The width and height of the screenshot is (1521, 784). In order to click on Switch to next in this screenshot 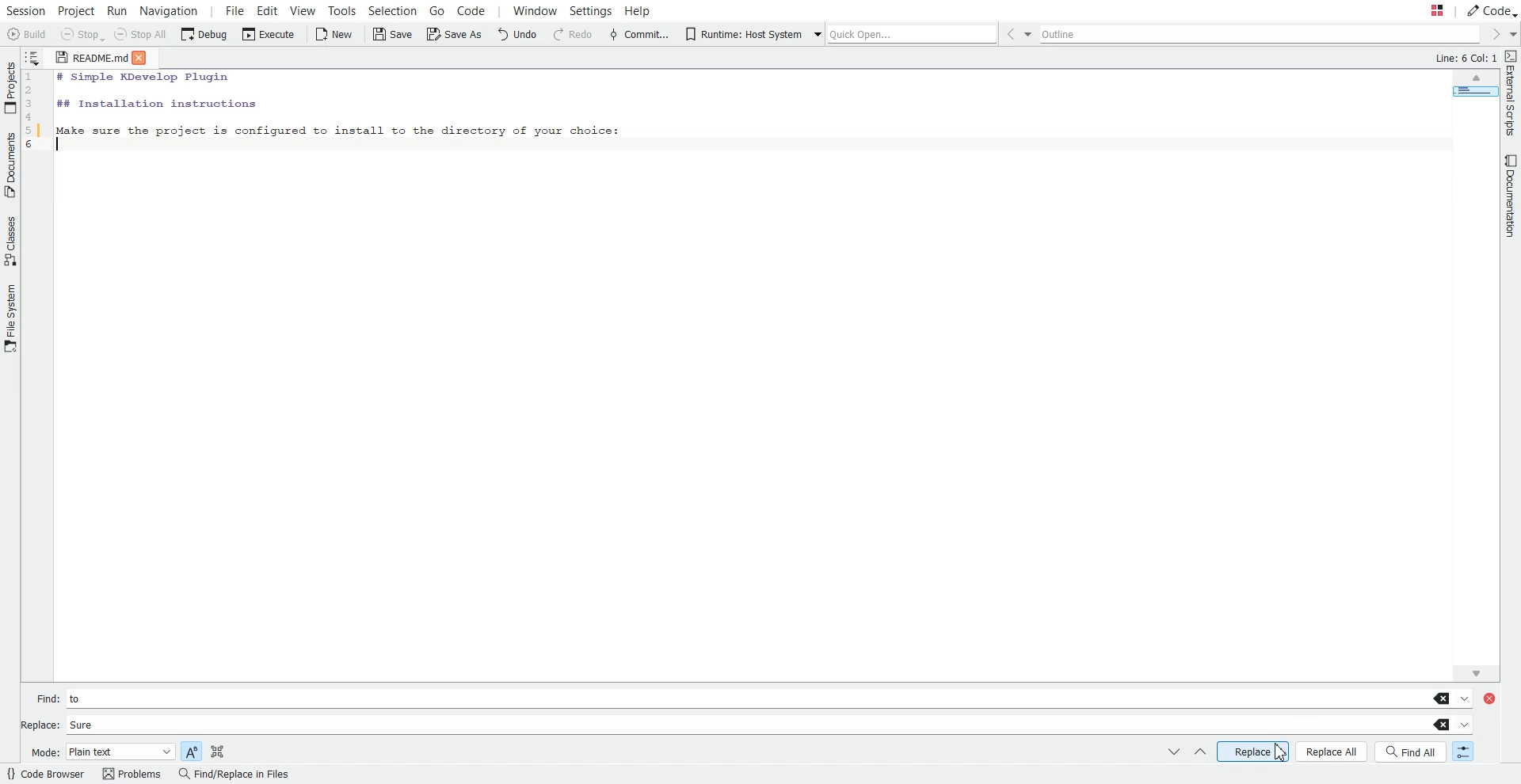, I will do `click(1174, 752)`.